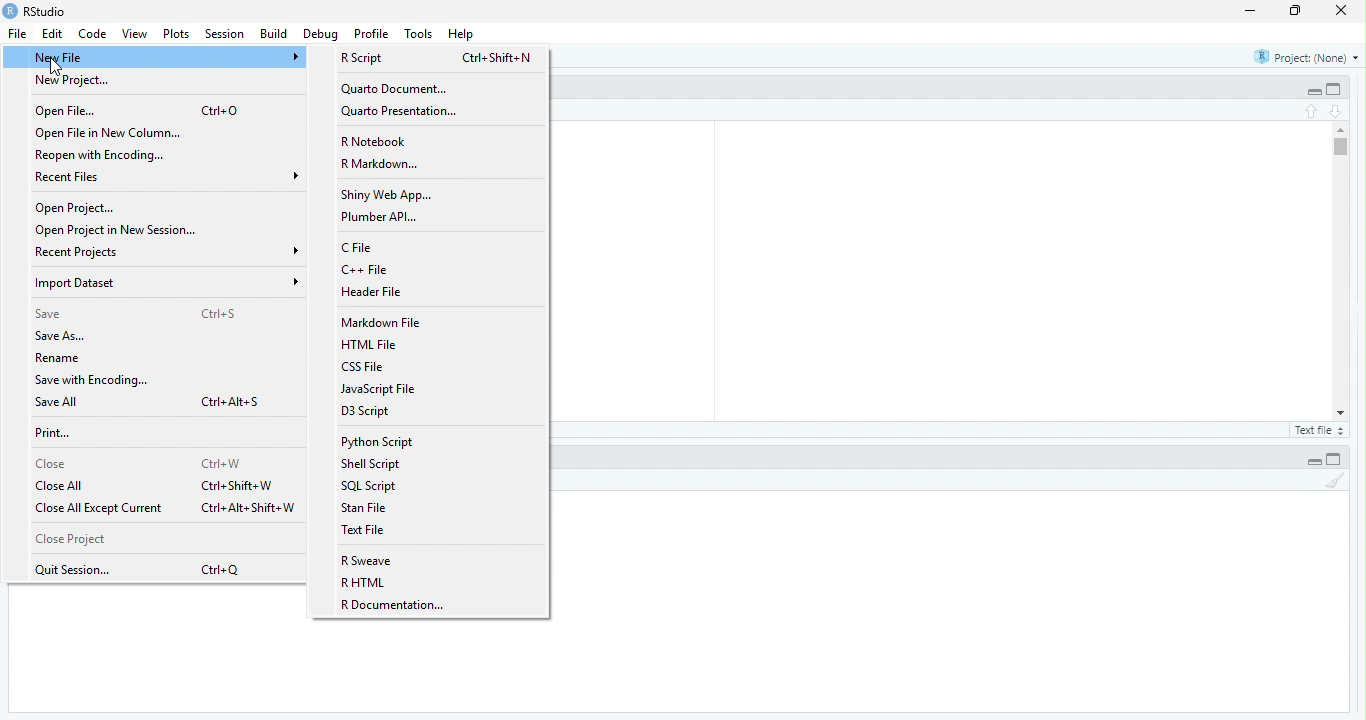  I want to click on R Sweave, so click(367, 562).